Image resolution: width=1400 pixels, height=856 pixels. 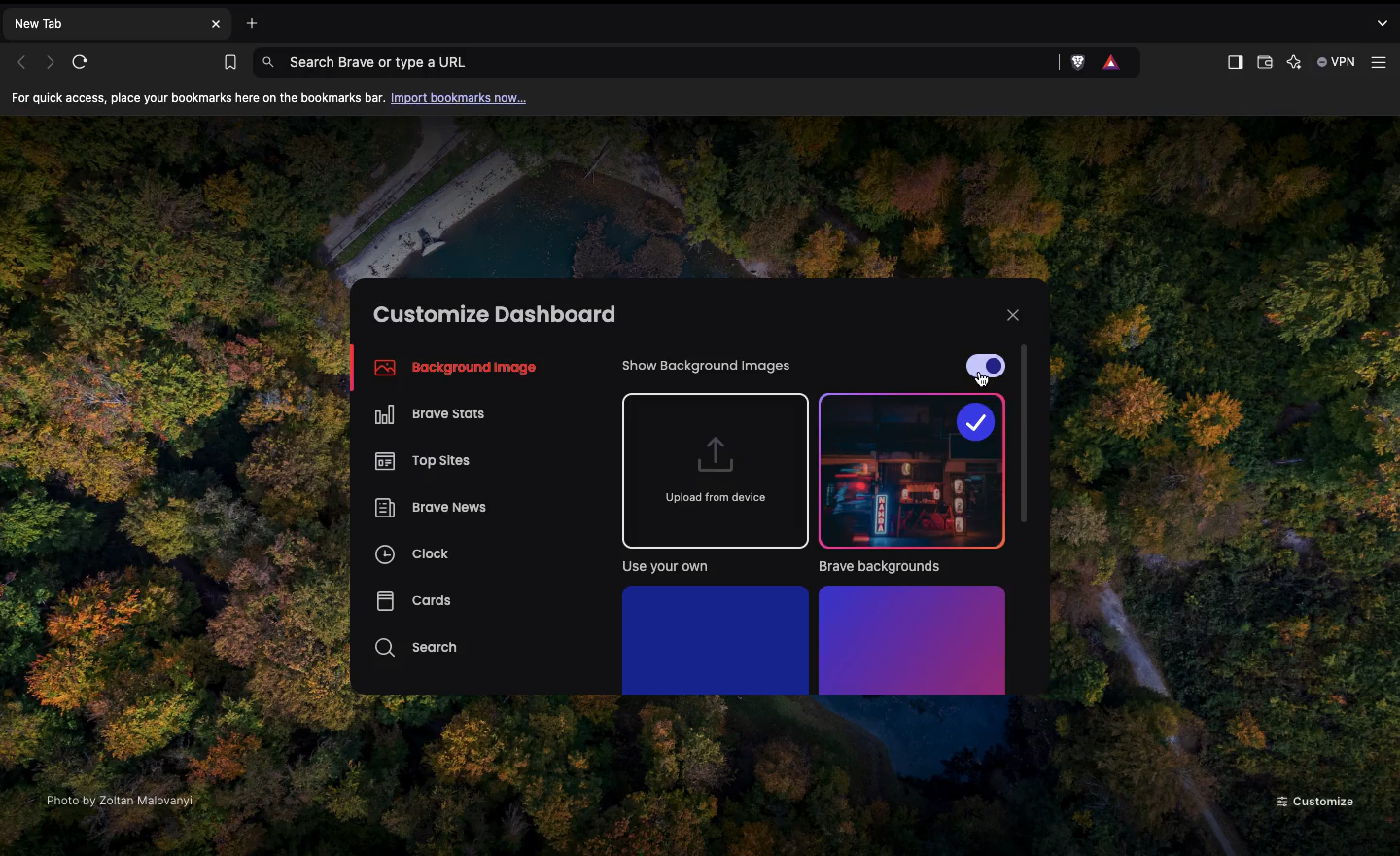 I want to click on Upload from device, so click(x=714, y=472).